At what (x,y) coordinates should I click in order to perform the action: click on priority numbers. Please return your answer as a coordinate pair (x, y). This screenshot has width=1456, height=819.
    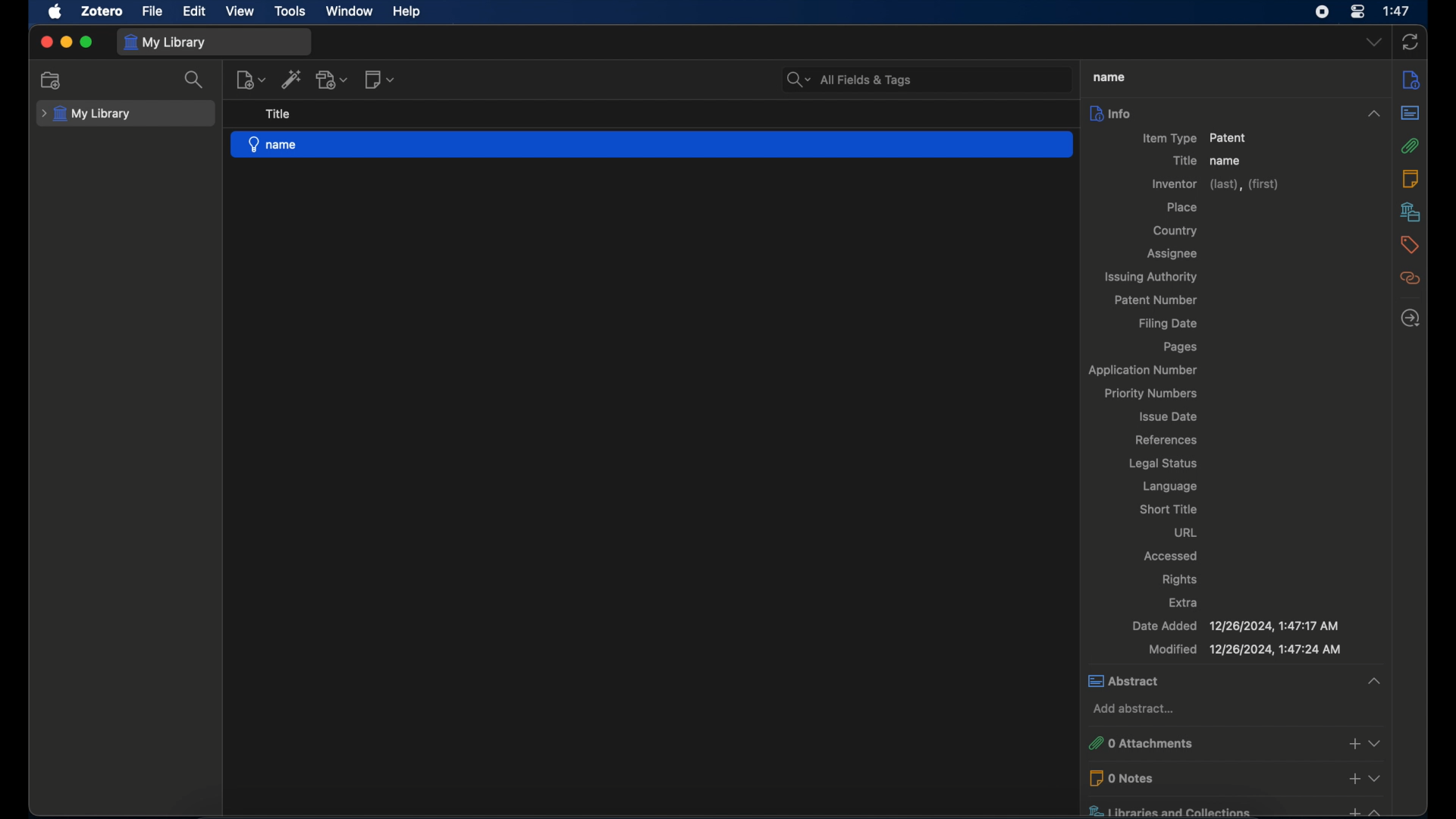
    Looking at the image, I should click on (1152, 394).